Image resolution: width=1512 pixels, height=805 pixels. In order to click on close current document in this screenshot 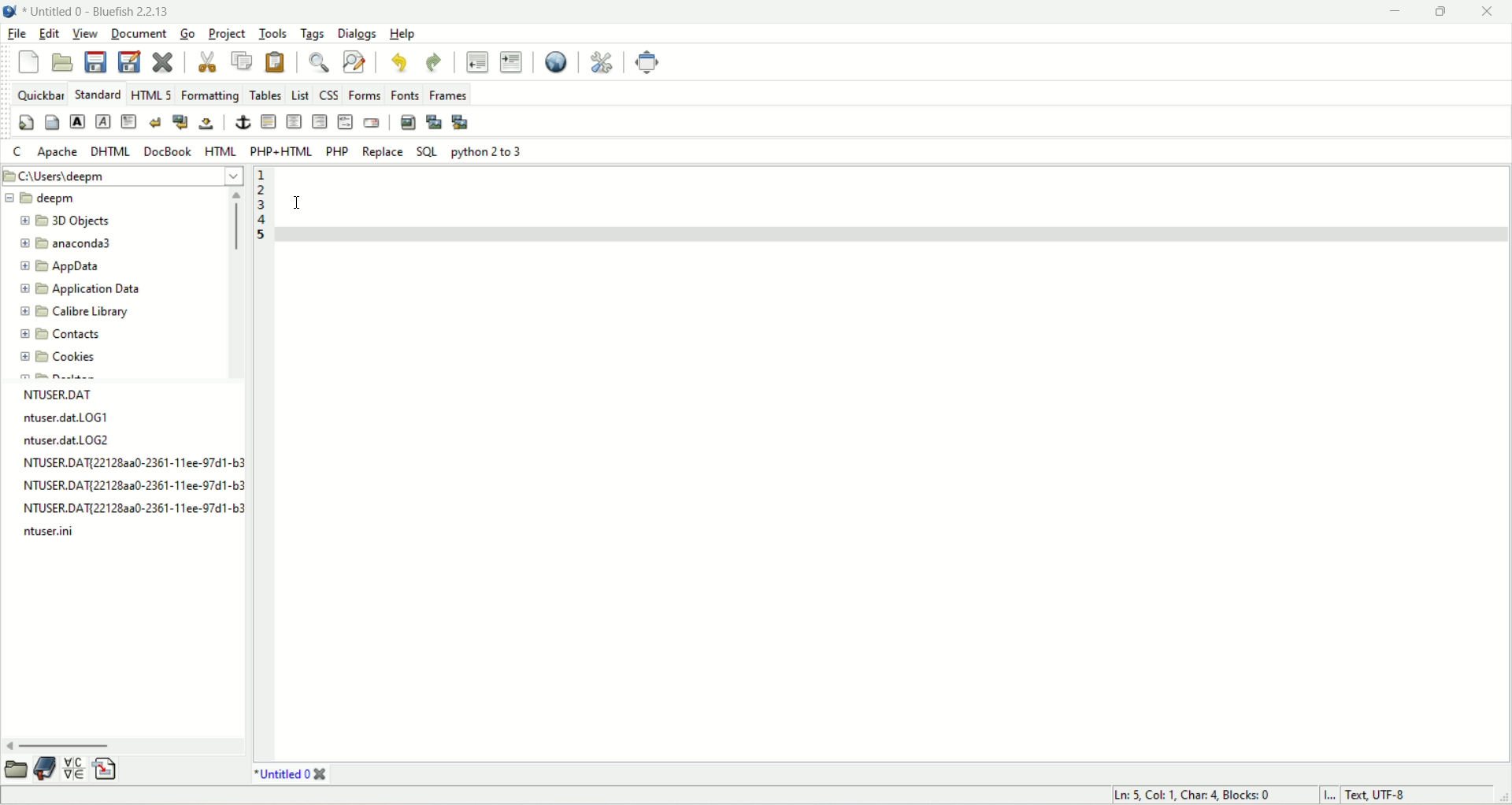, I will do `click(165, 59)`.